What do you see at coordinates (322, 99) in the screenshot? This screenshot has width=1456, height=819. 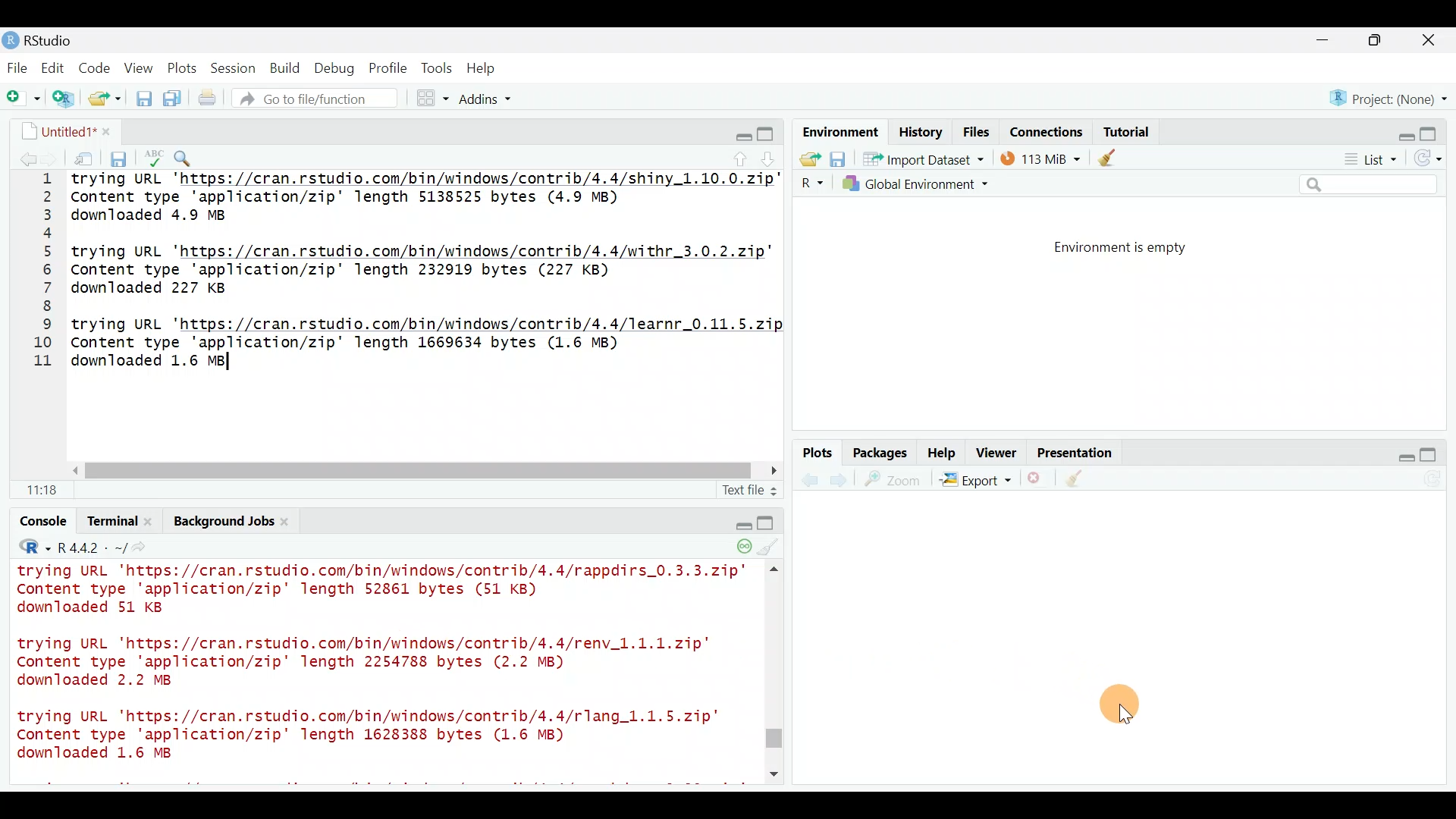 I see `Go to file/function` at bounding box center [322, 99].